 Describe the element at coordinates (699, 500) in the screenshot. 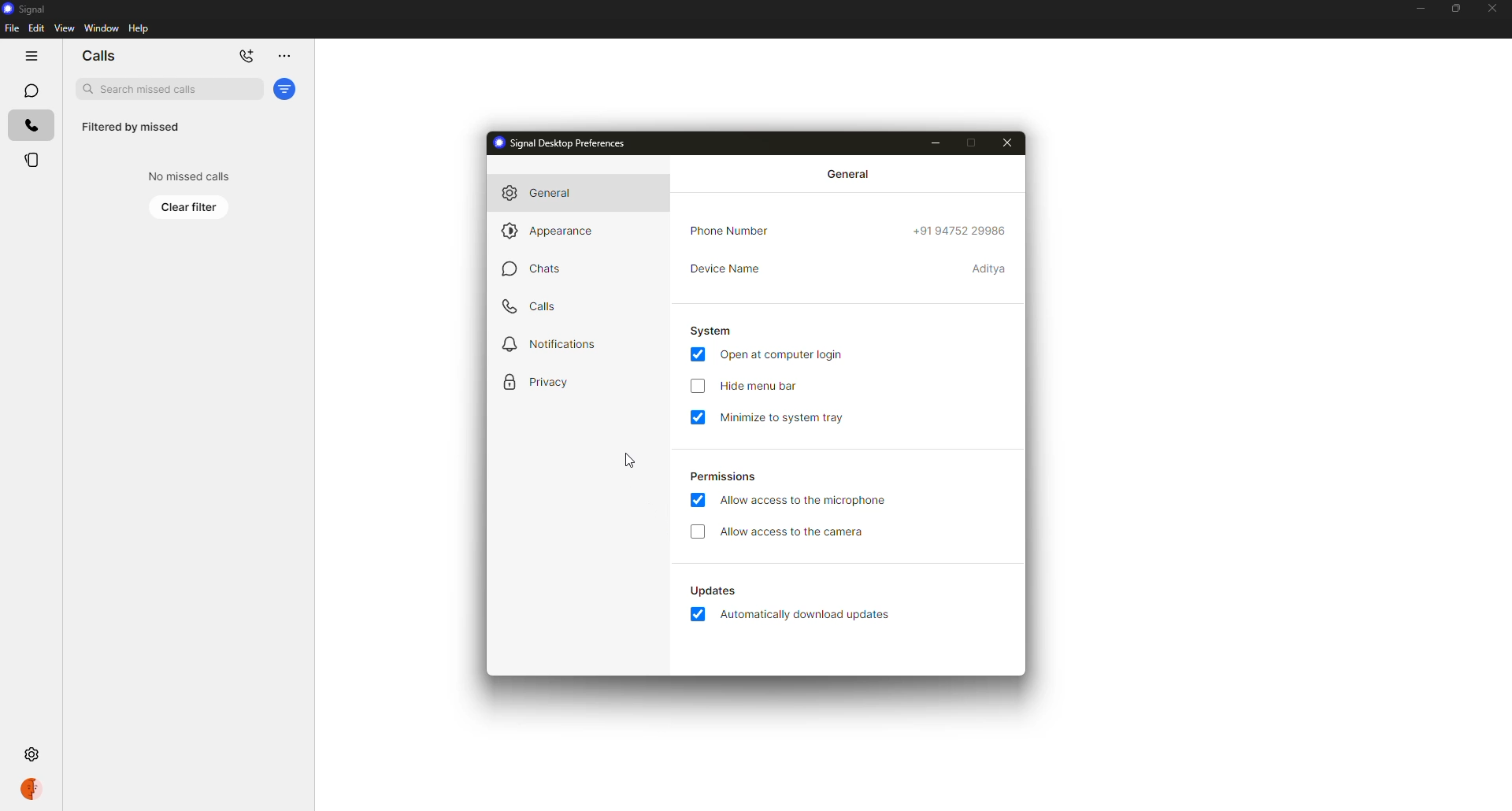

I see `enabled` at that location.